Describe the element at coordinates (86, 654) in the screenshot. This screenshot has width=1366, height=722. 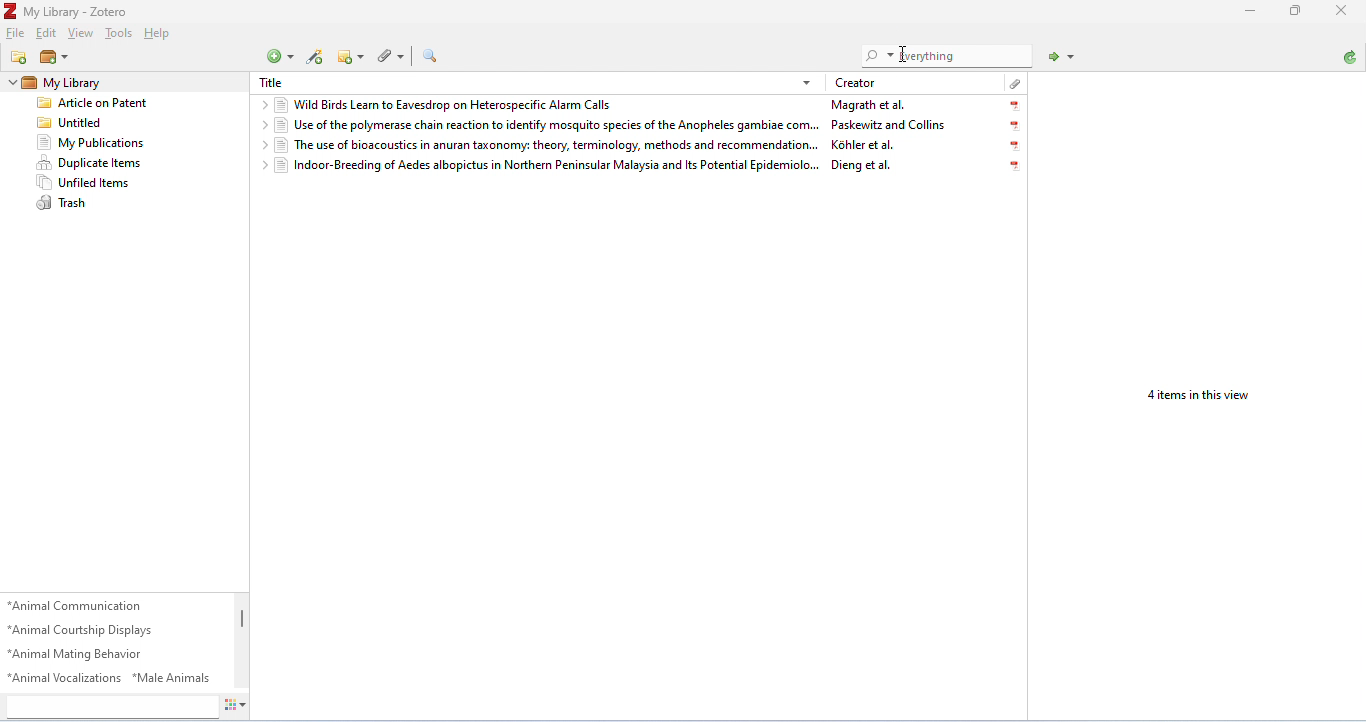
I see `*Animal Mating Behavior` at that location.